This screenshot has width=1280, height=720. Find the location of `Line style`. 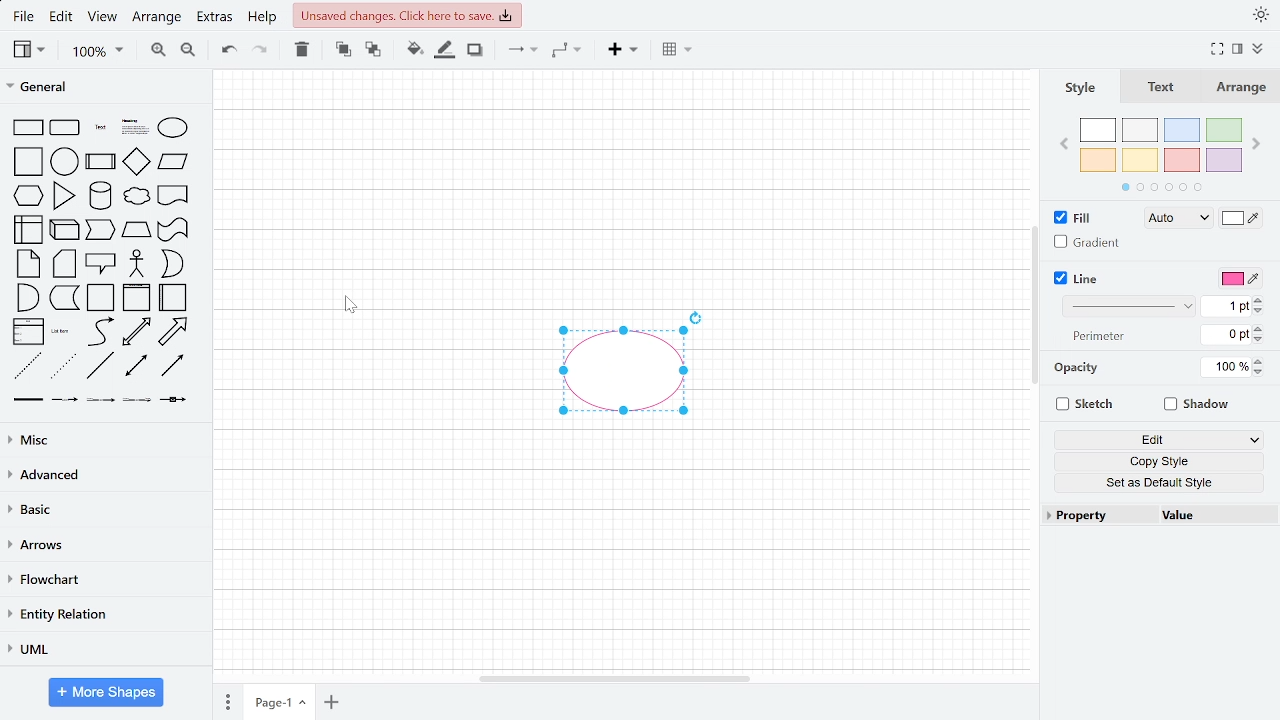

Line style is located at coordinates (1126, 307).